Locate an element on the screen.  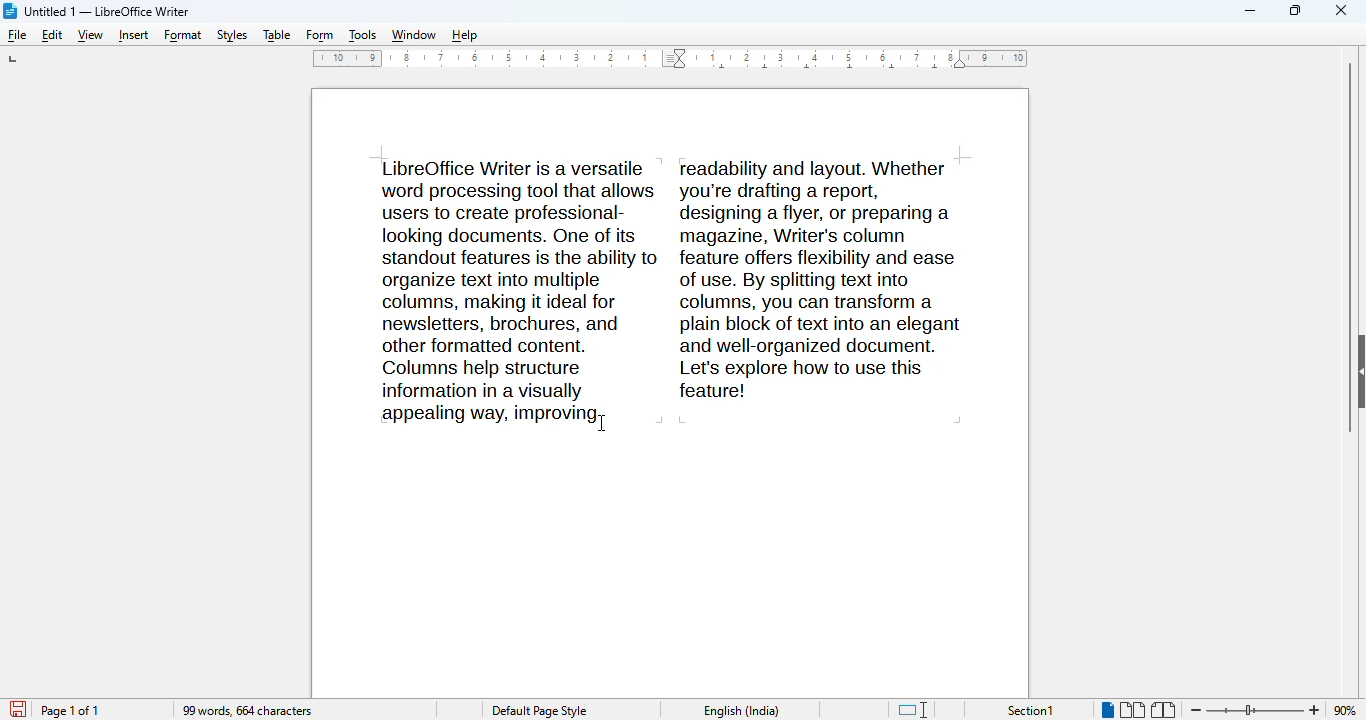
table is located at coordinates (276, 35).